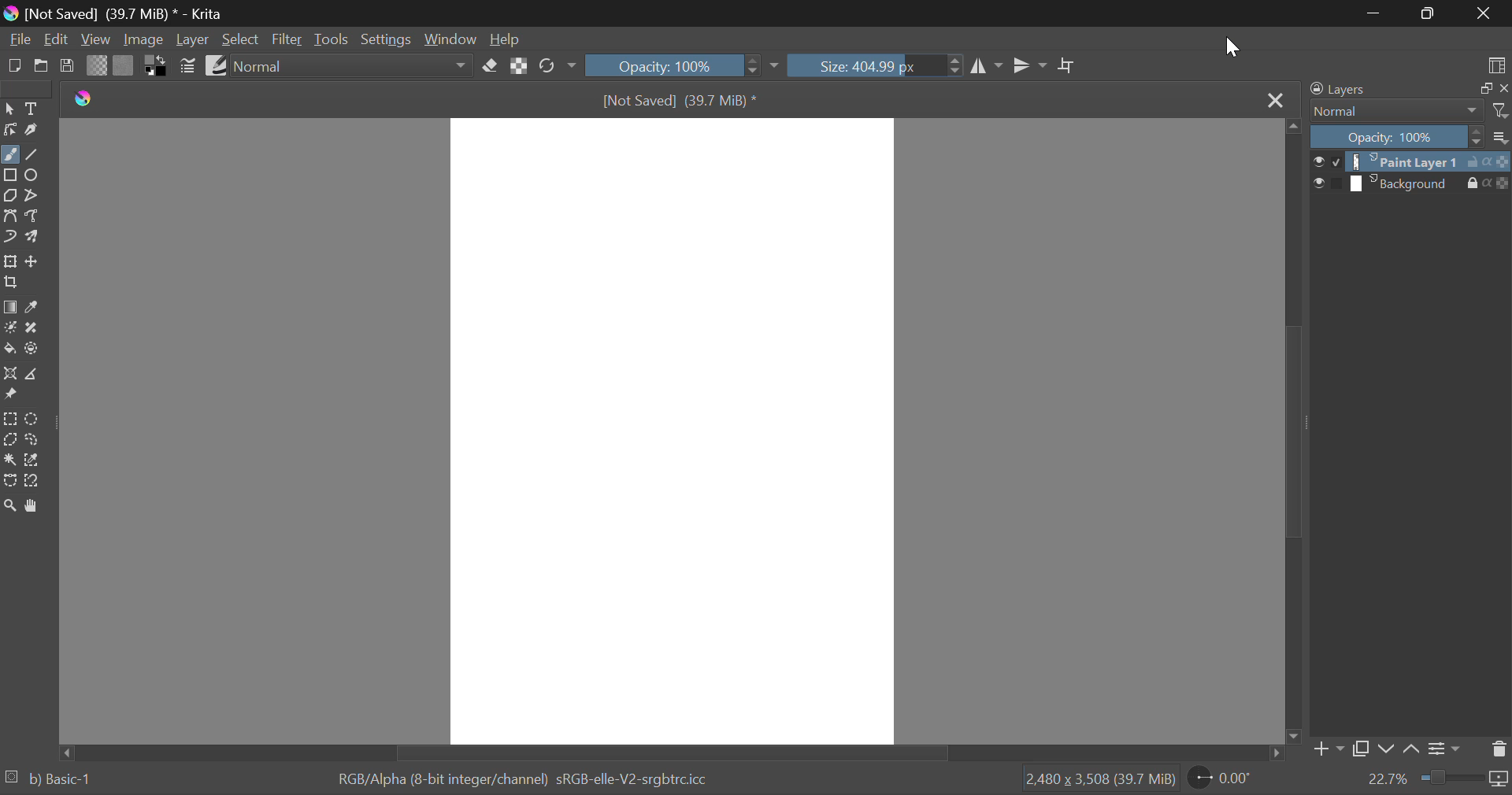 Image resolution: width=1512 pixels, height=795 pixels. What do you see at coordinates (30, 129) in the screenshot?
I see `Calligraphic Line` at bounding box center [30, 129].